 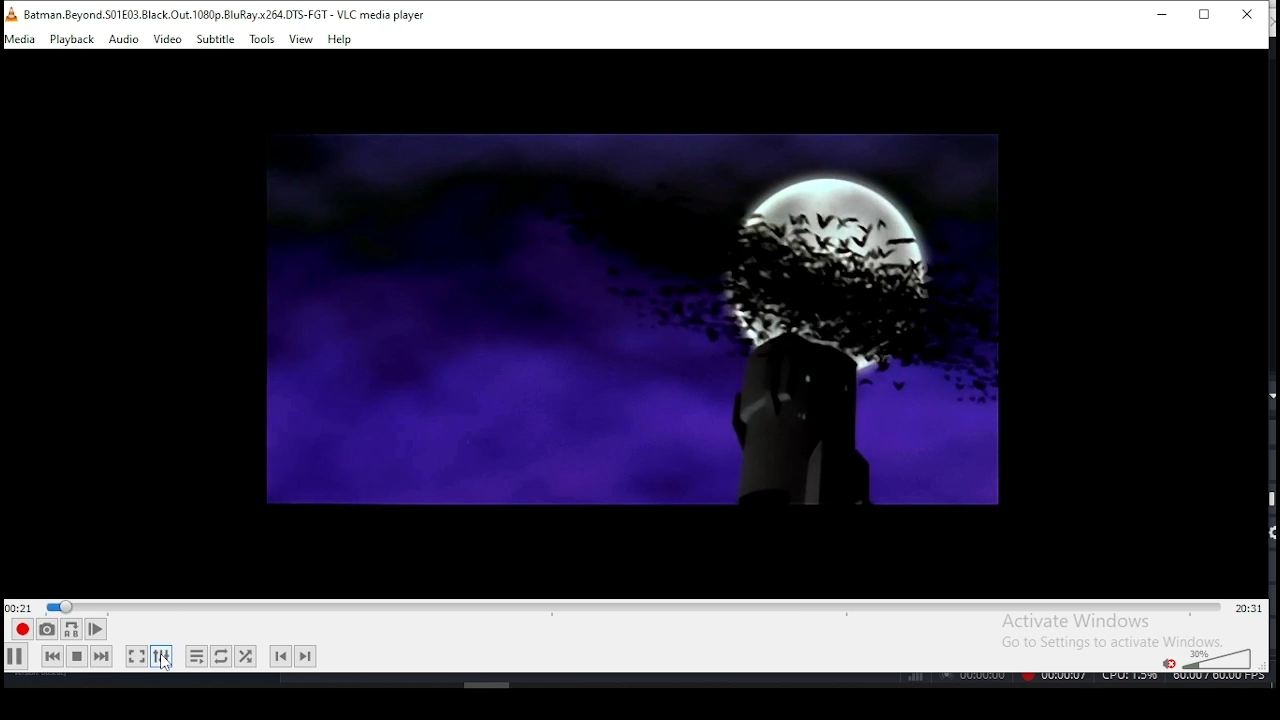 I want to click on minimize, so click(x=1158, y=14).